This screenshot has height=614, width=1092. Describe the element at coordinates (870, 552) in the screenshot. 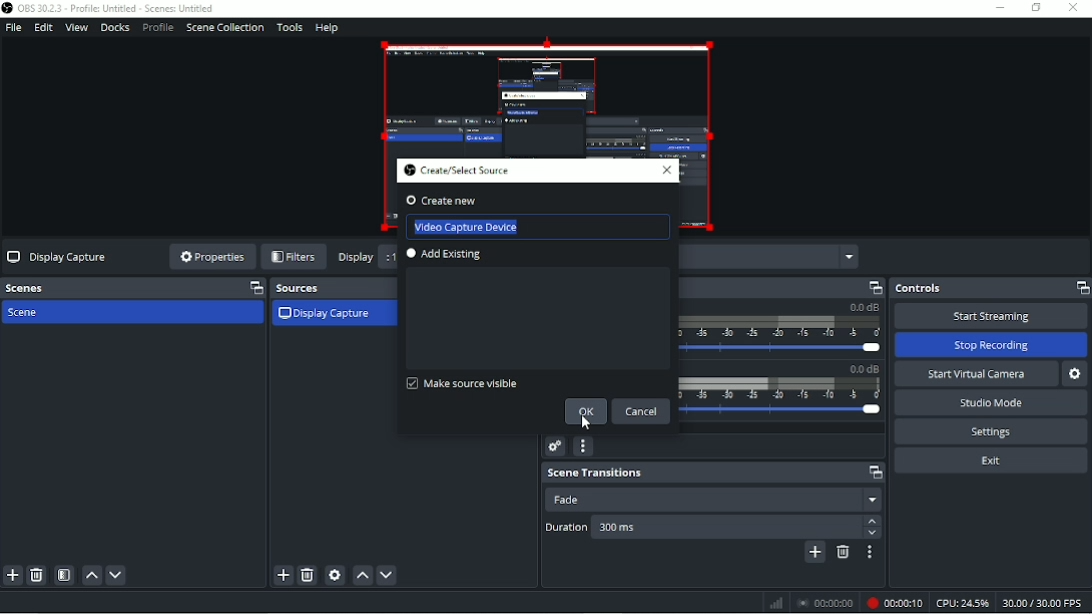

I see `Transition properties` at that location.